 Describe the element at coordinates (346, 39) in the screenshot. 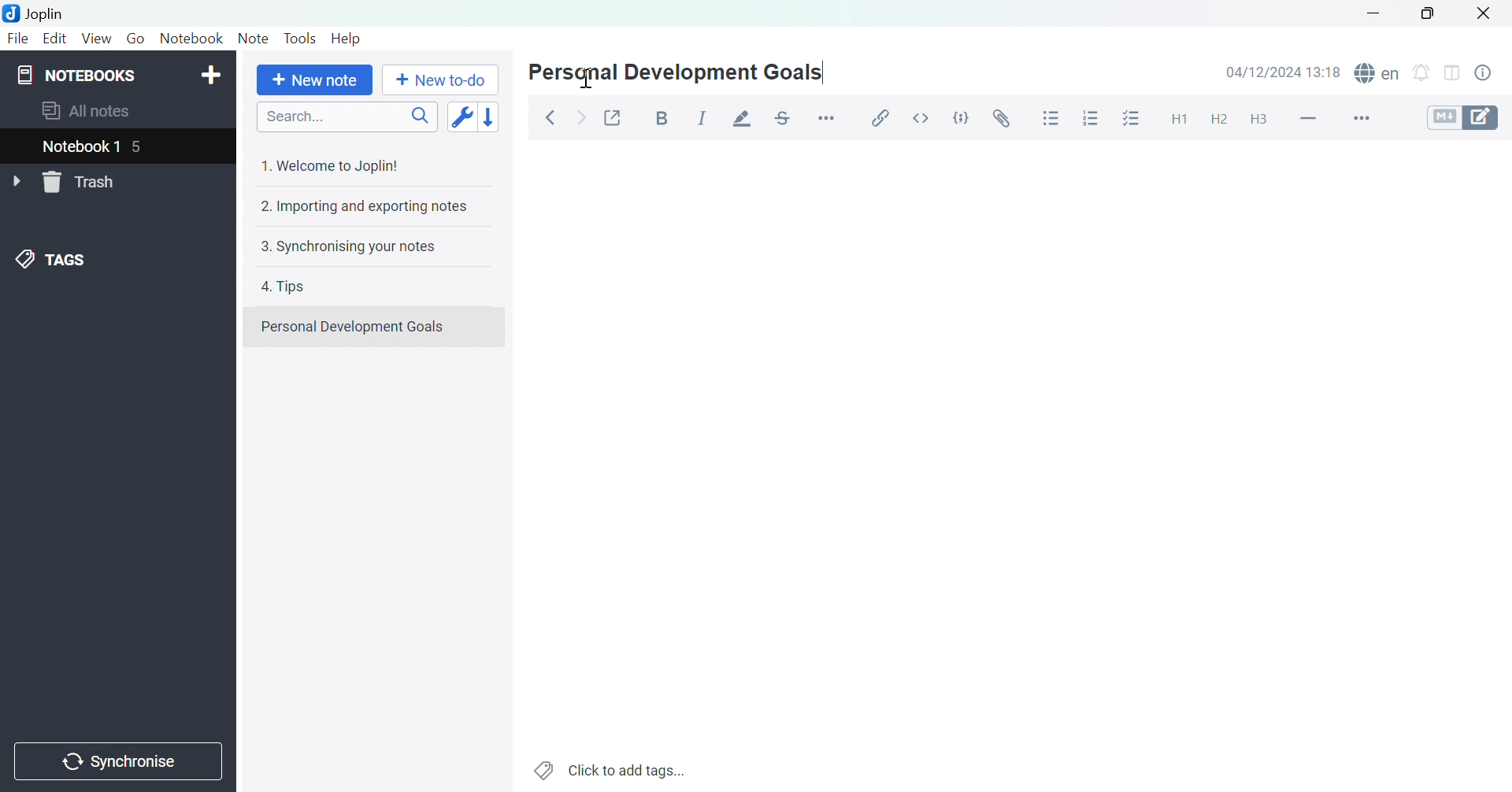

I see `Help` at that location.